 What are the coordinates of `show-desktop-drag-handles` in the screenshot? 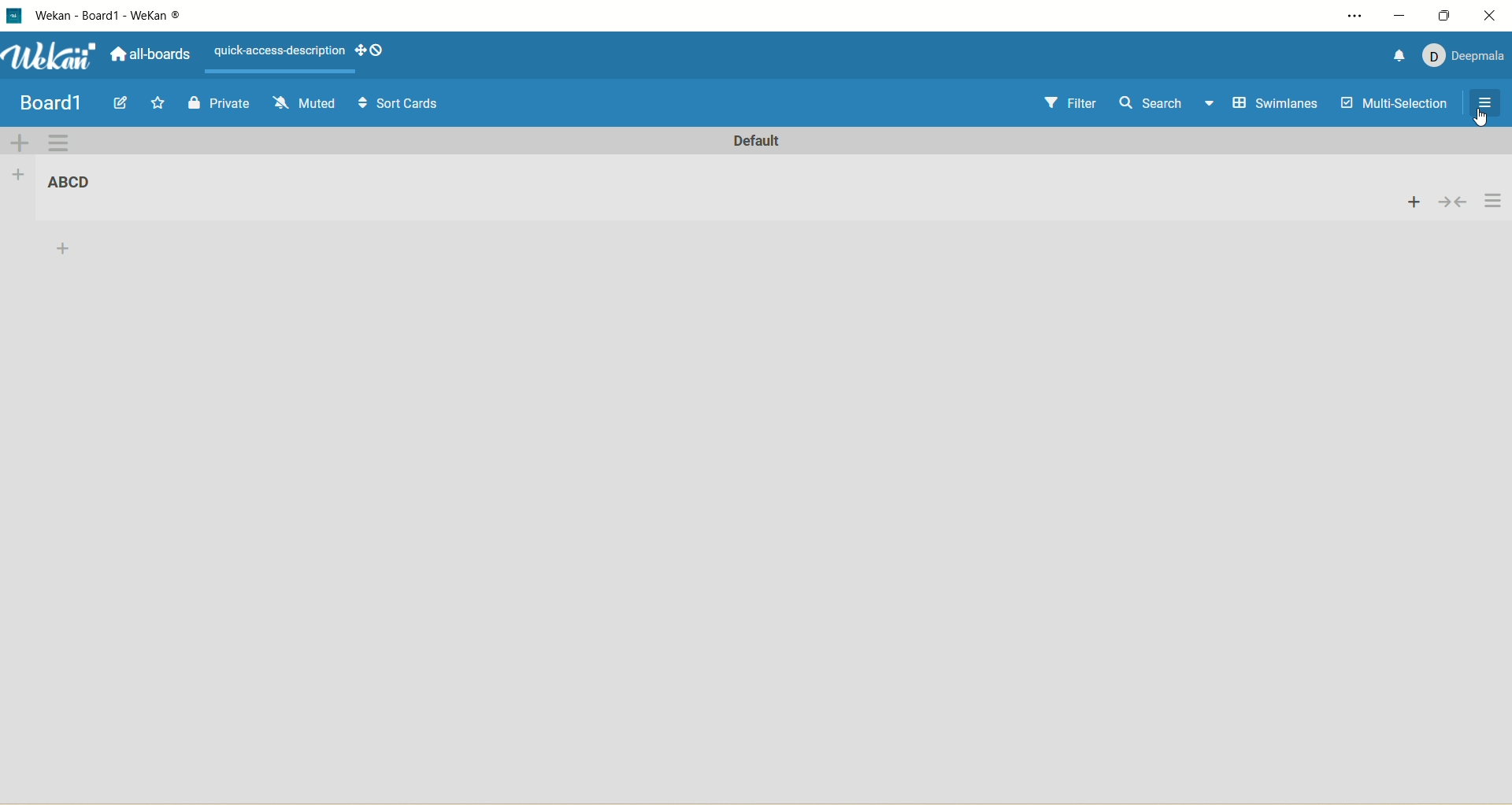 It's located at (360, 50).